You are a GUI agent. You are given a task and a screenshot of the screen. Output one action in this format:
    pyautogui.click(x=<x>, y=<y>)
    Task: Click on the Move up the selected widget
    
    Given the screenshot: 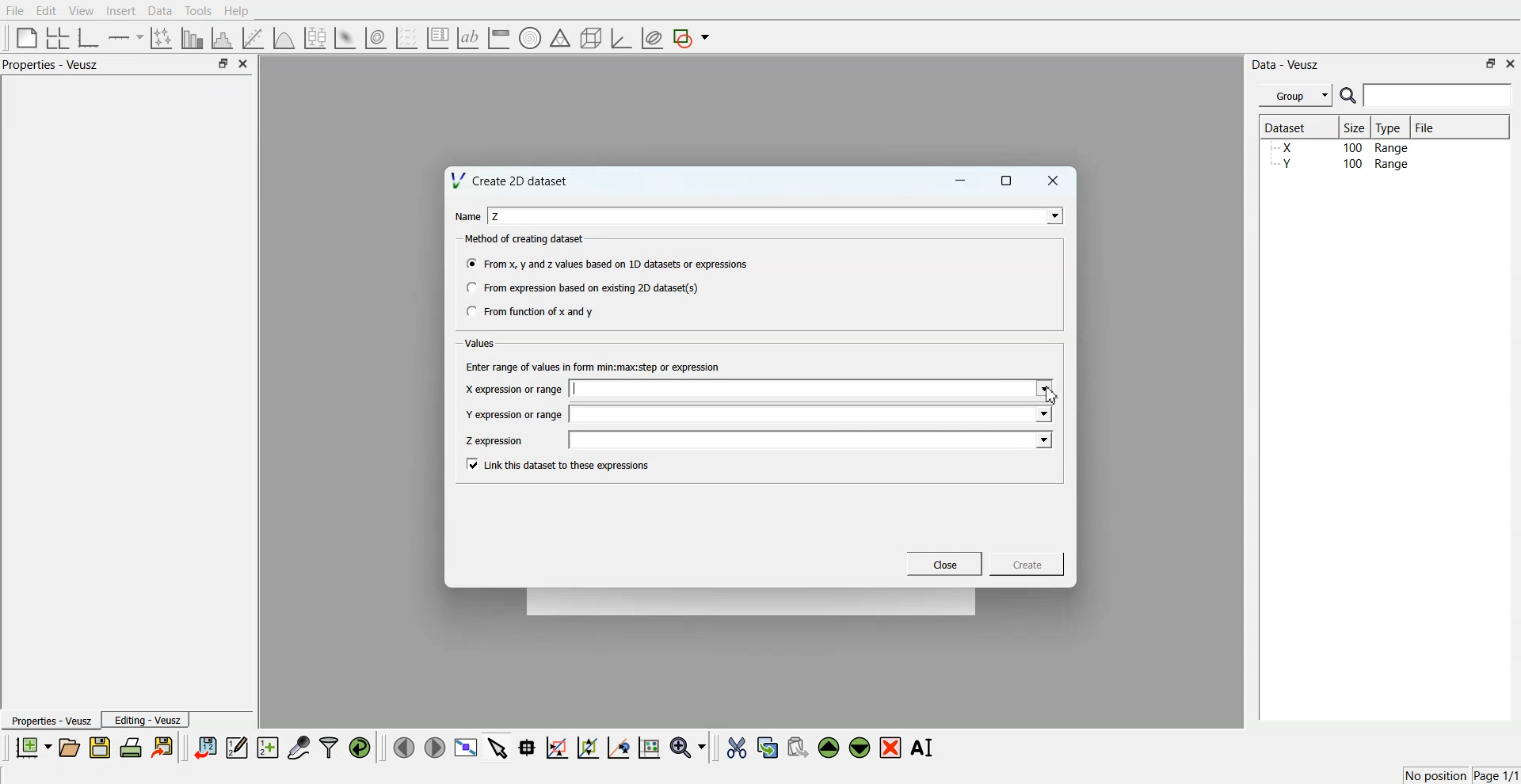 What is the action you would take?
    pyautogui.click(x=829, y=748)
    